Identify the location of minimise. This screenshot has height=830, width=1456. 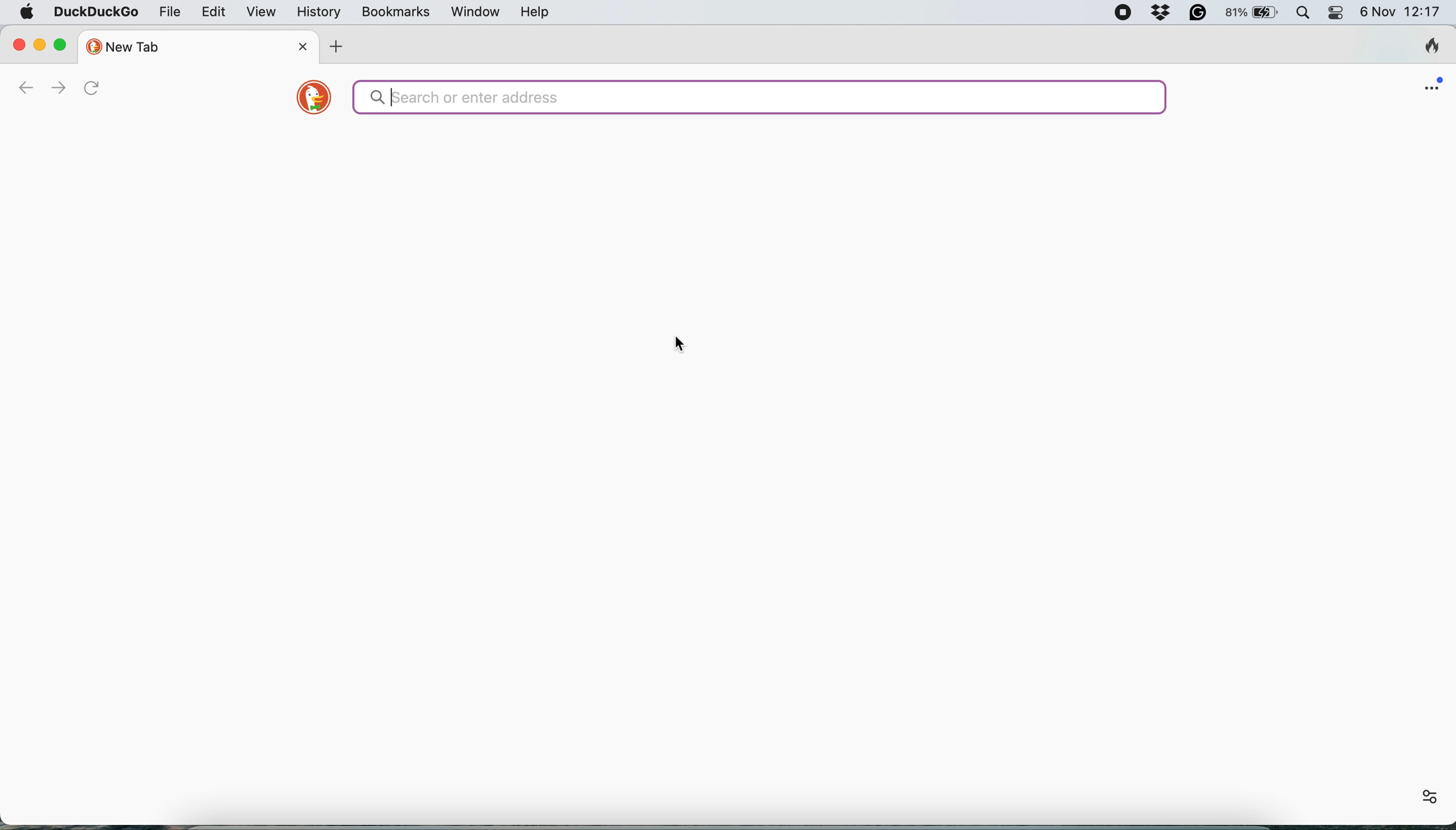
(39, 46).